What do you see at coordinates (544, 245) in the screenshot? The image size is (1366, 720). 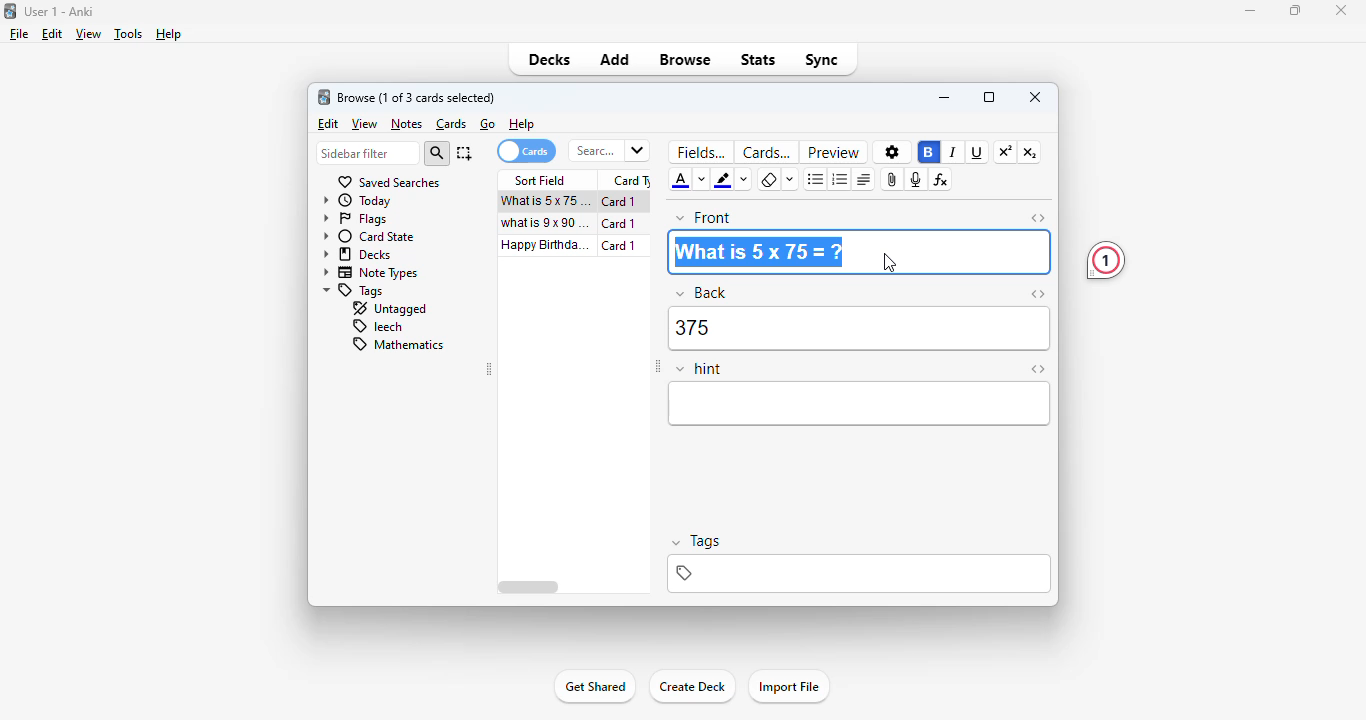 I see `happy birthday song!!!.mp3` at bounding box center [544, 245].